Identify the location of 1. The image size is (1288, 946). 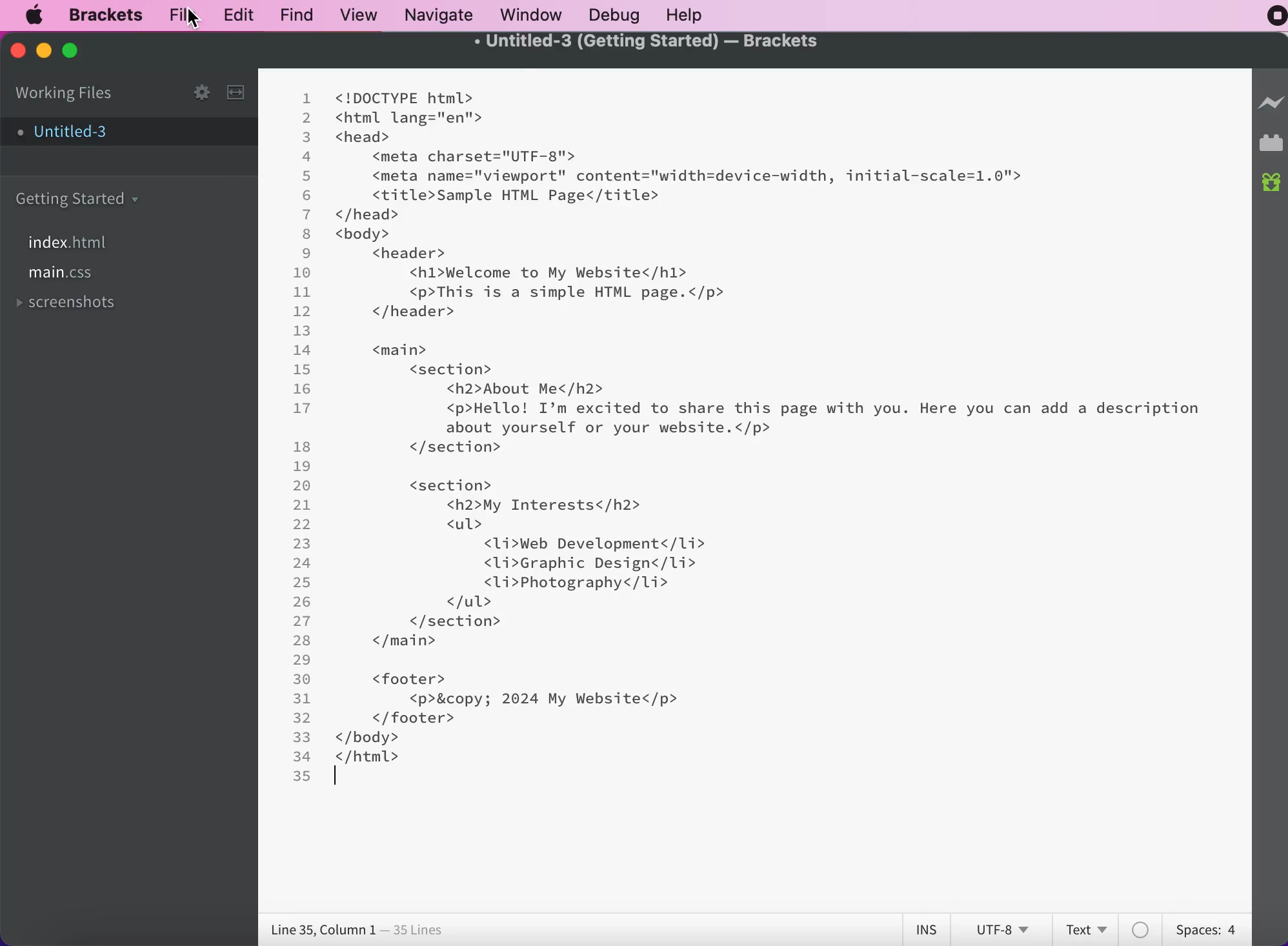
(307, 97).